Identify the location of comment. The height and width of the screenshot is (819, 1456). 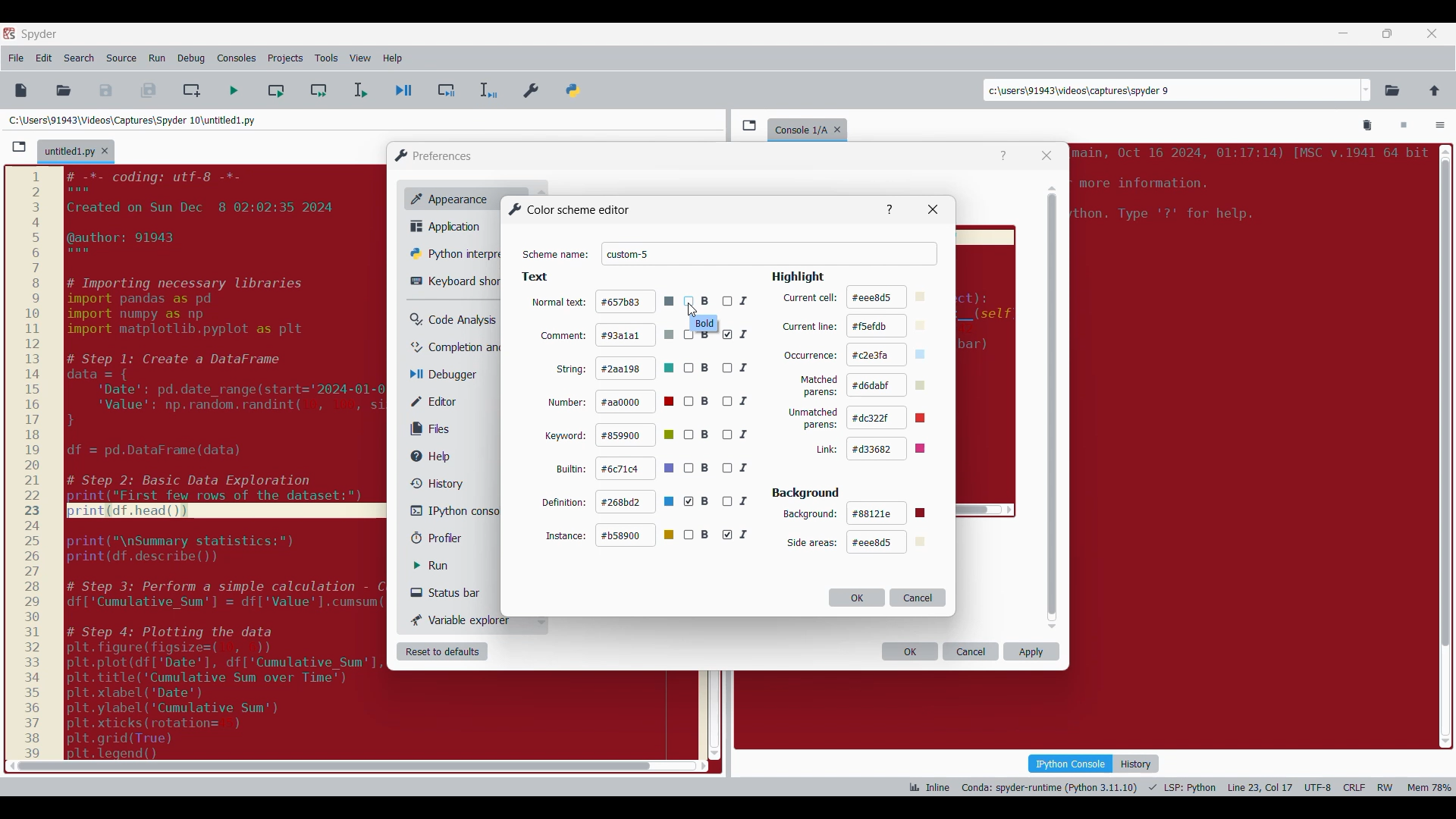
(563, 335).